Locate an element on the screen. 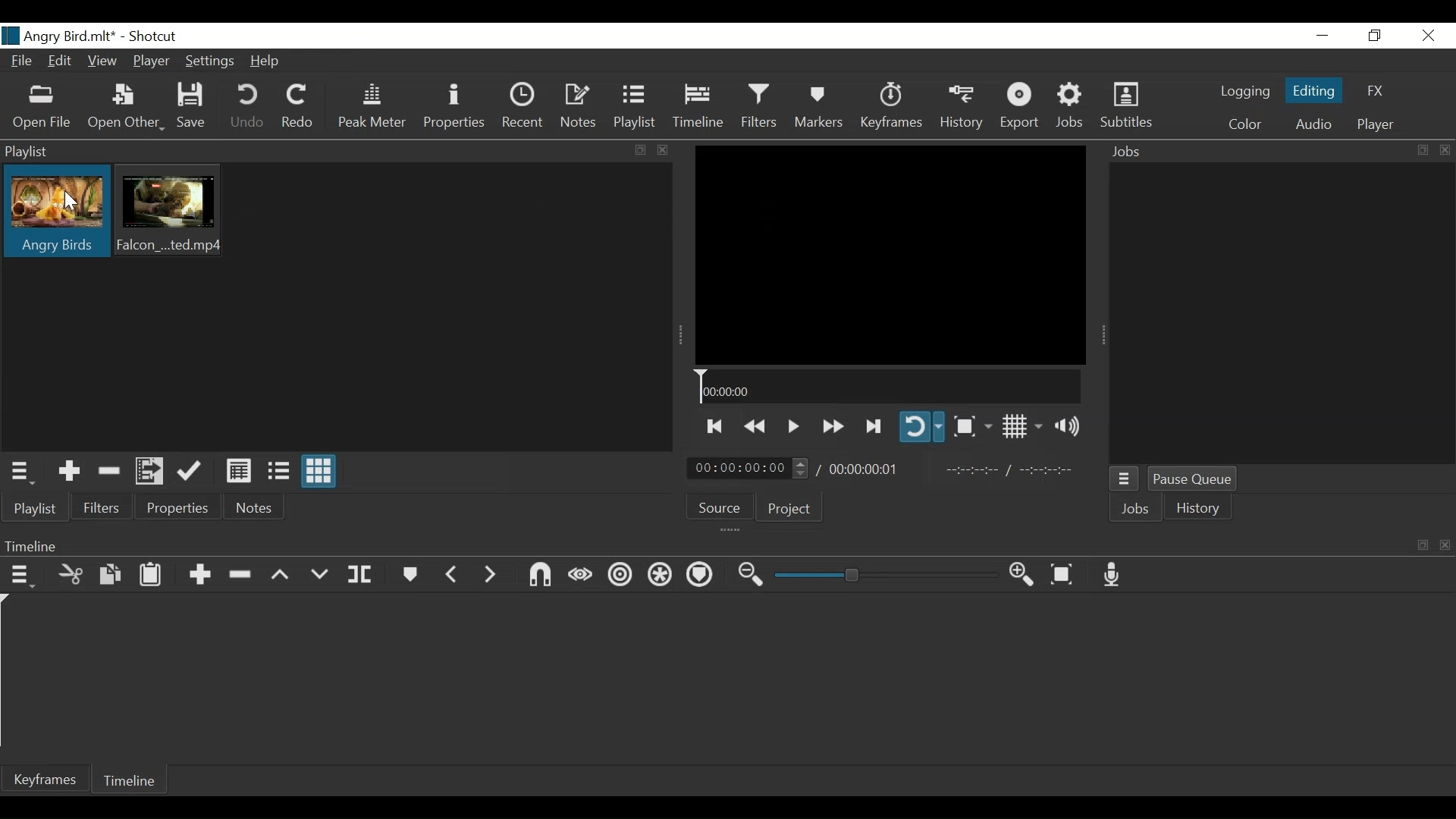 The width and height of the screenshot is (1456, 819). Playlist  is located at coordinates (34, 508).